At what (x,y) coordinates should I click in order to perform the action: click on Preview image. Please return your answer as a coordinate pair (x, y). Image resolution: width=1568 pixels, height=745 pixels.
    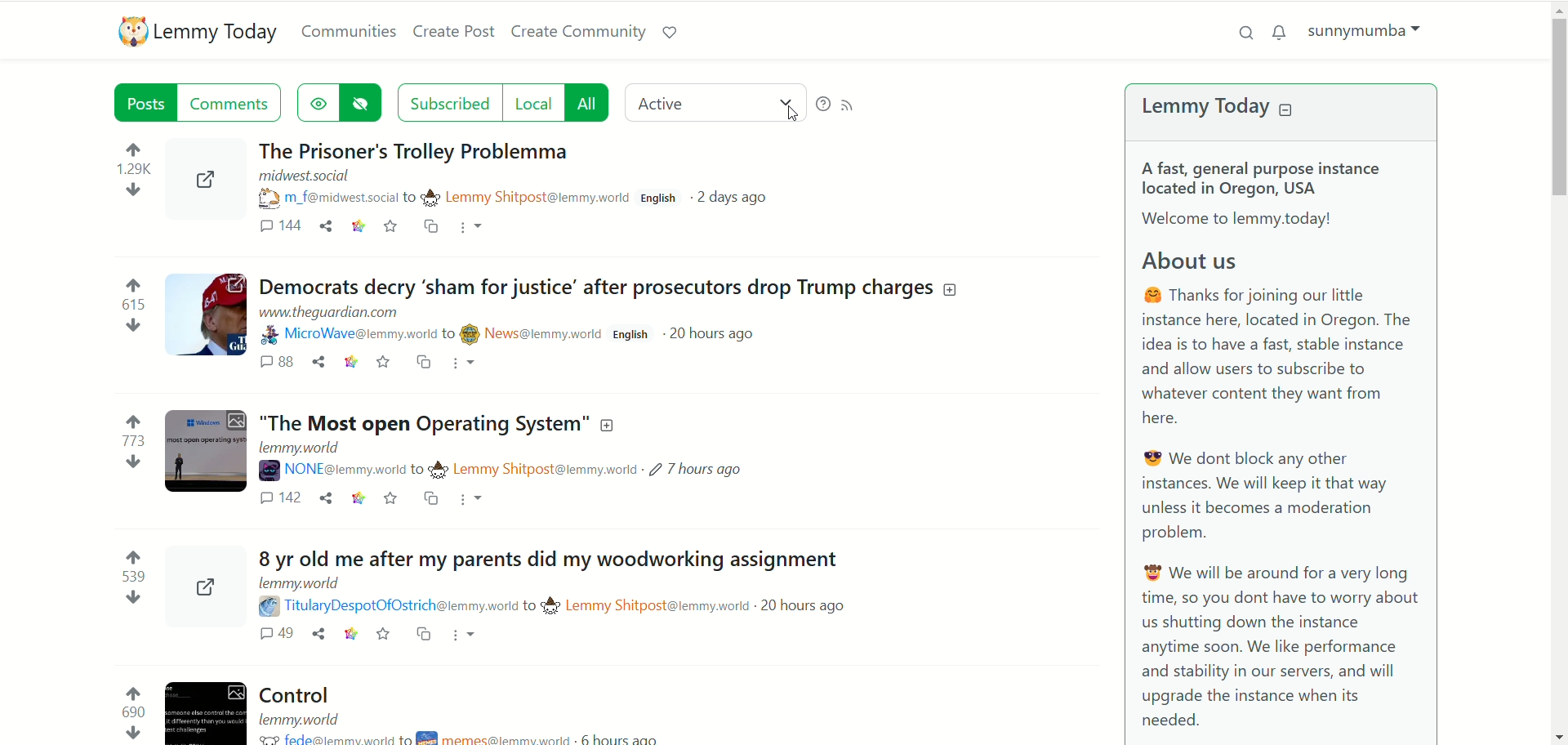
    Looking at the image, I should click on (203, 456).